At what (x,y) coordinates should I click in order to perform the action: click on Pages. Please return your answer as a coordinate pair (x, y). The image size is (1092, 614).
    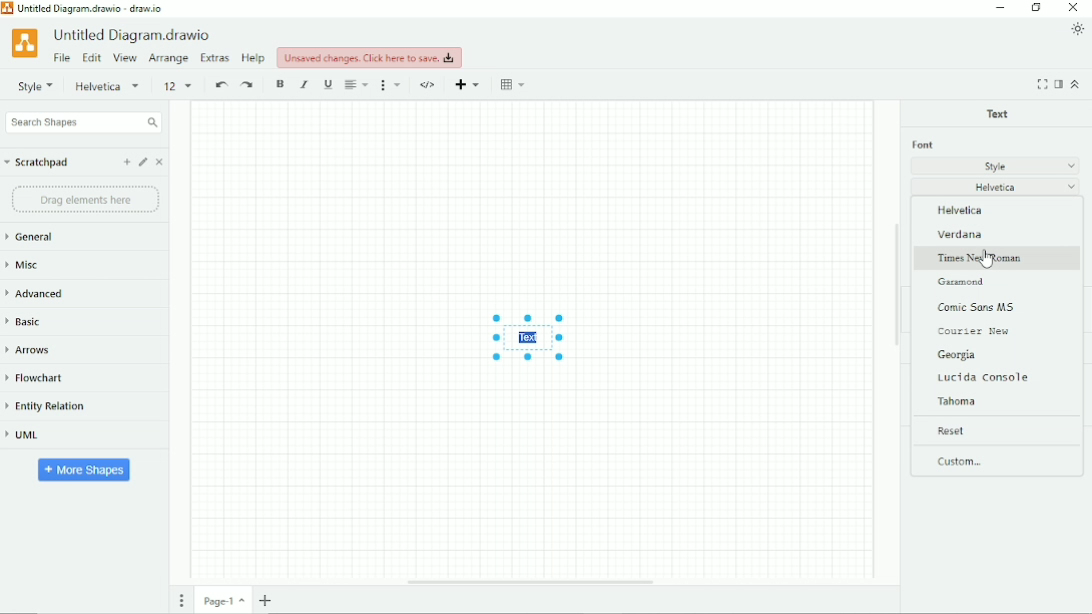
    Looking at the image, I should click on (184, 599).